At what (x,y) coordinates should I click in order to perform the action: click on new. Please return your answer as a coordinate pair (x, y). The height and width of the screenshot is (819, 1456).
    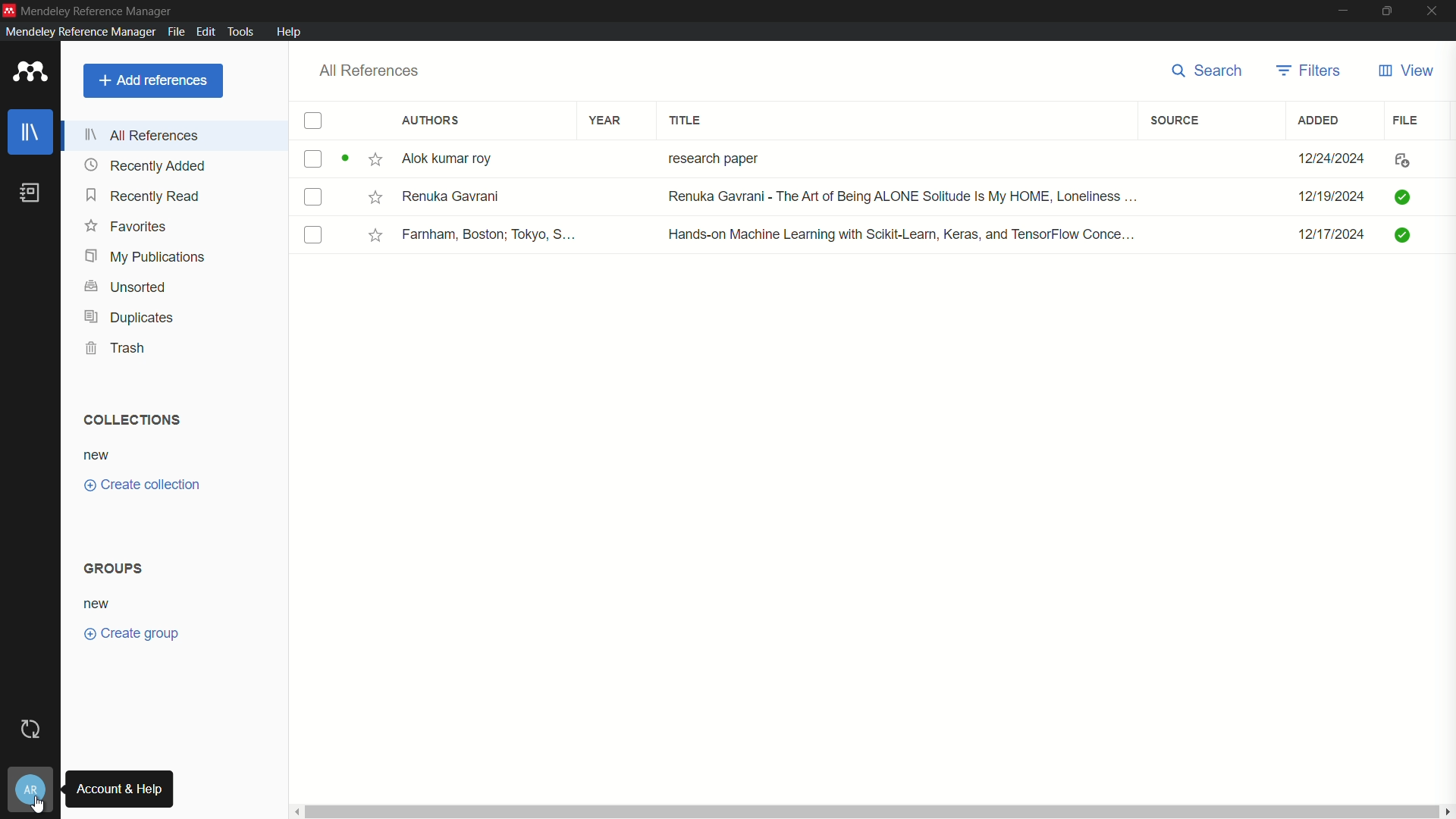
    Looking at the image, I should click on (96, 457).